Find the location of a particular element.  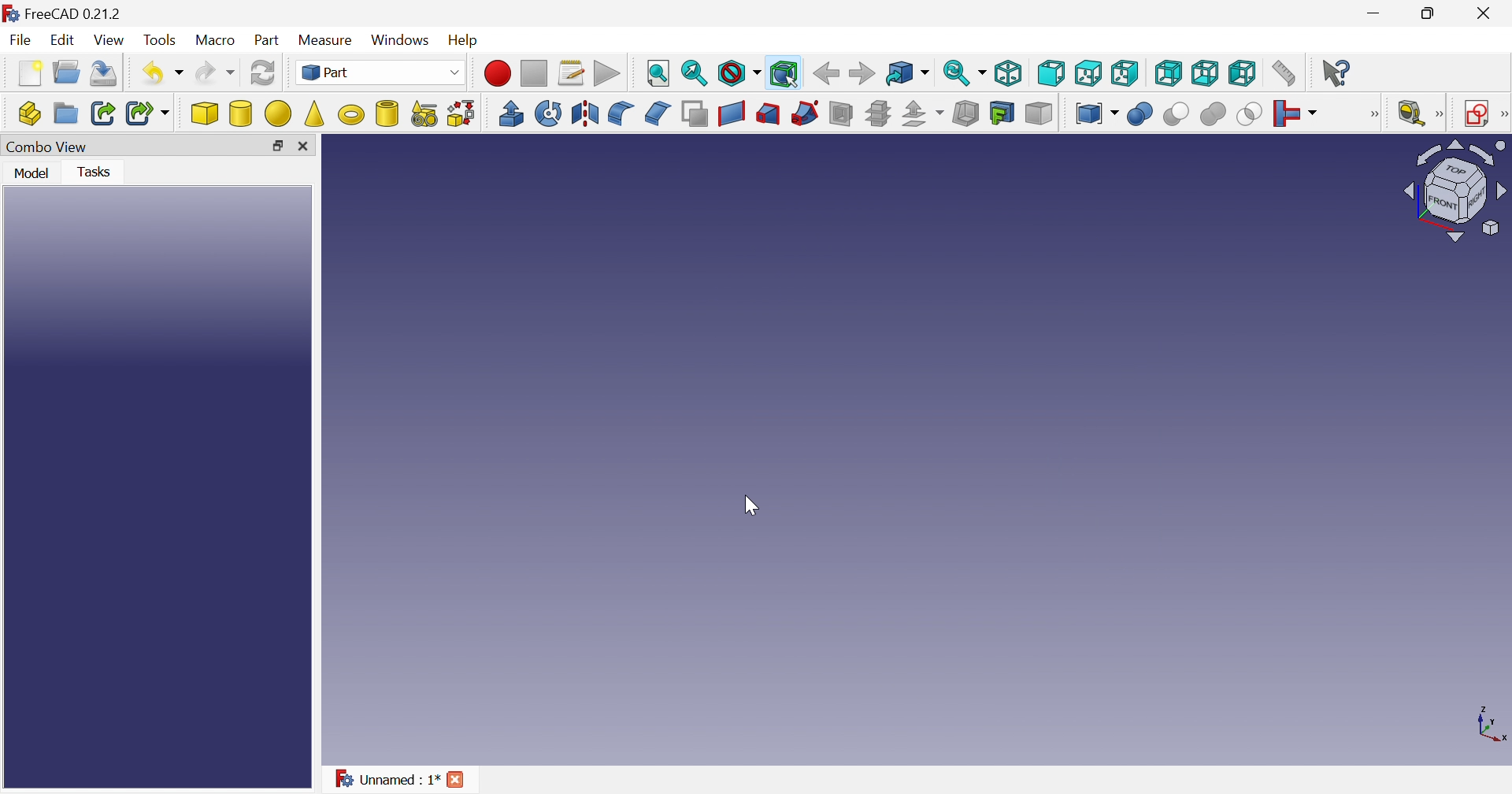

Shape builder... is located at coordinates (460, 113).